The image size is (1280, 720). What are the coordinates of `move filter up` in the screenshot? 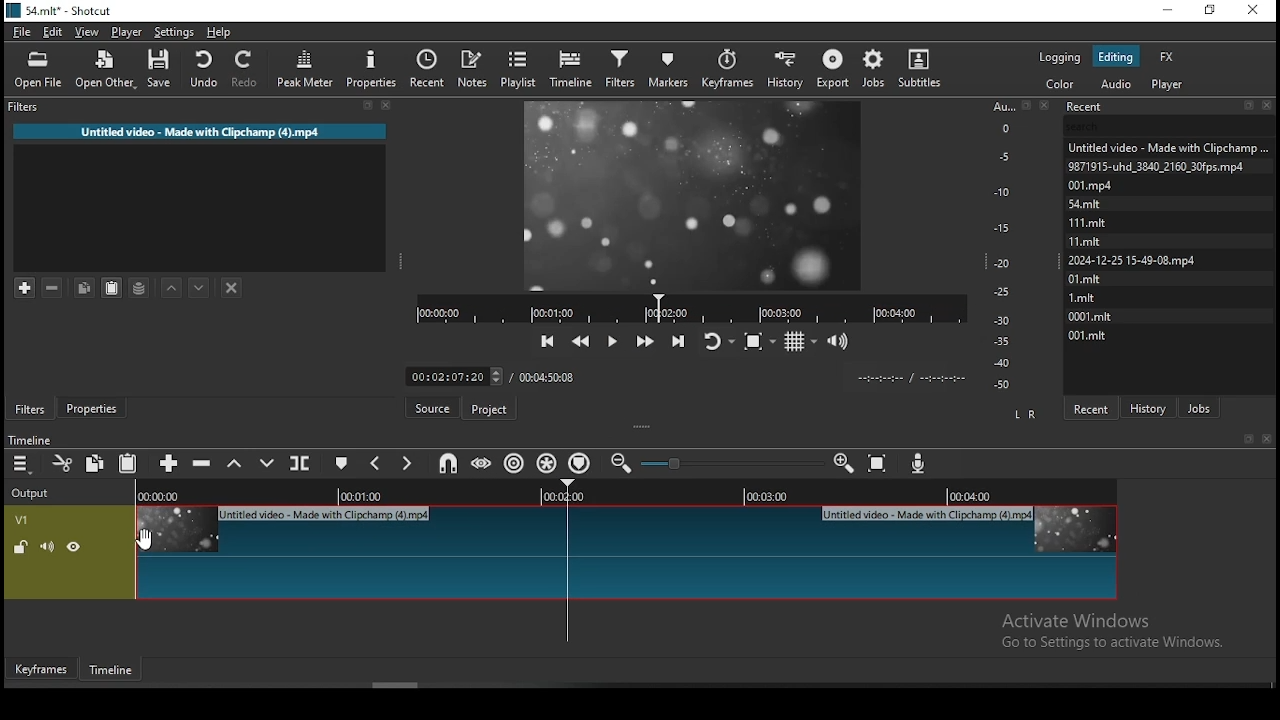 It's located at (167, 284).